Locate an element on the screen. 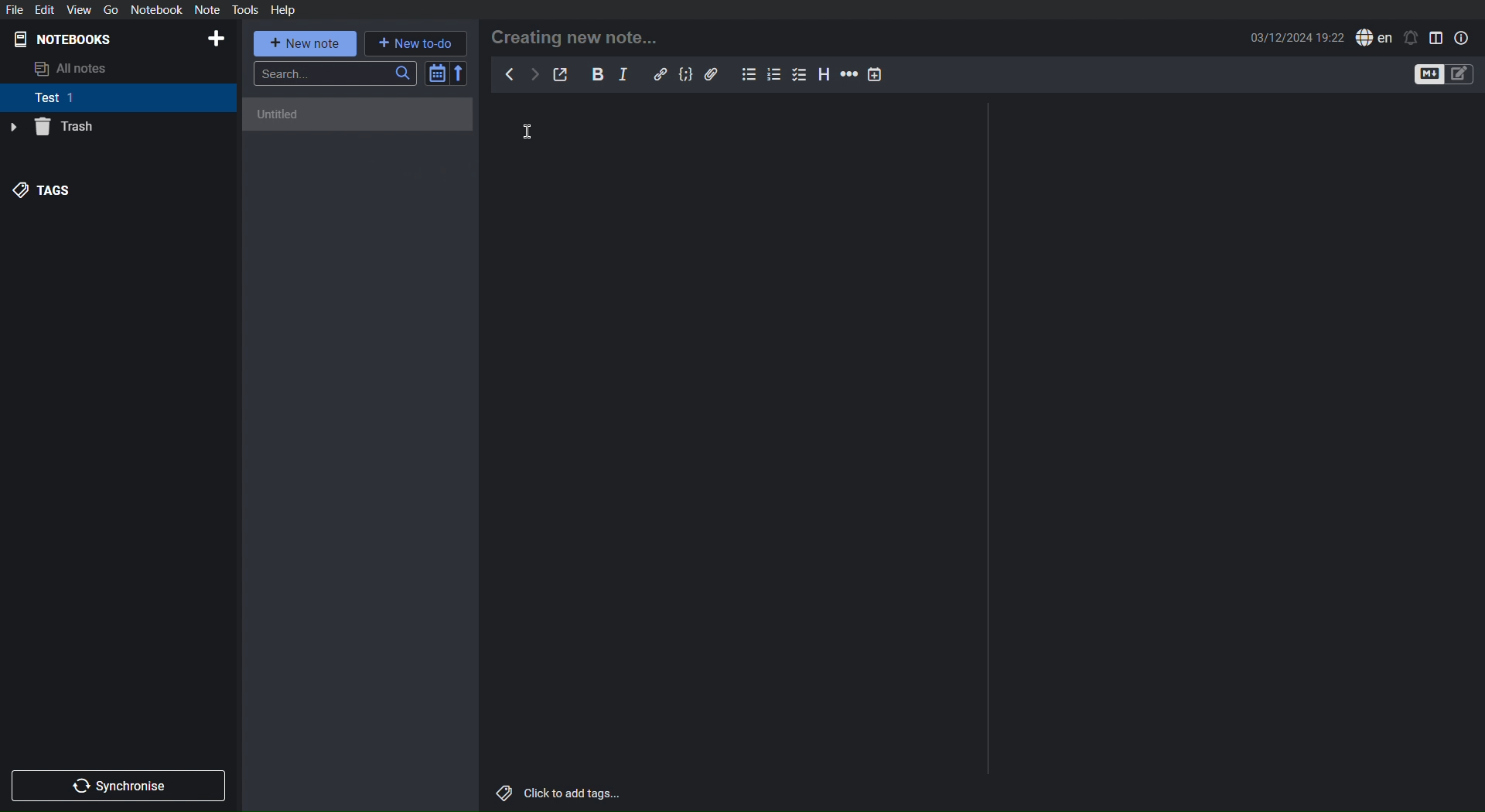  Bold is located at coordinates (598, 73).